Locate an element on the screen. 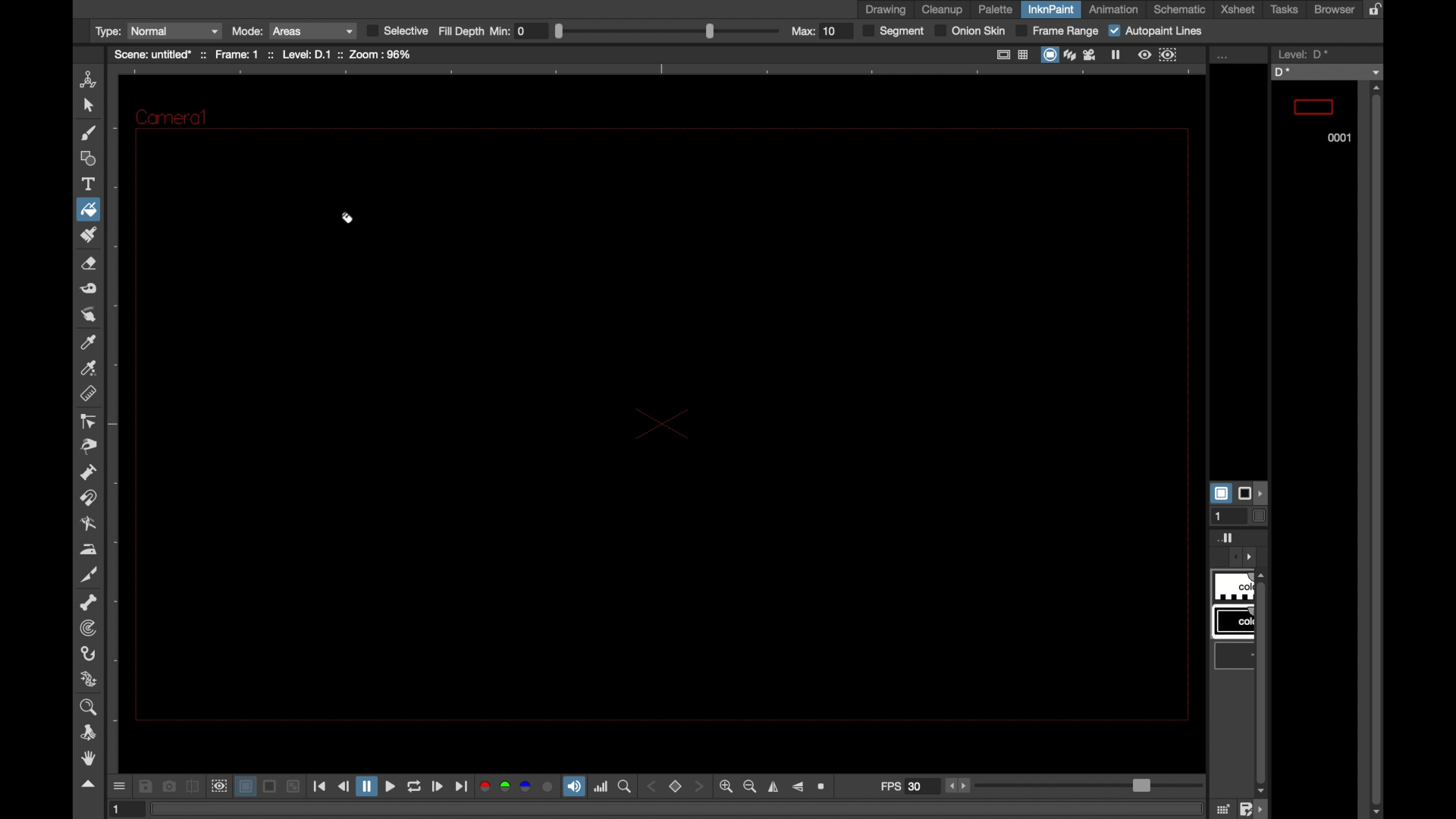  screen is located at coordinates (1052, 55).